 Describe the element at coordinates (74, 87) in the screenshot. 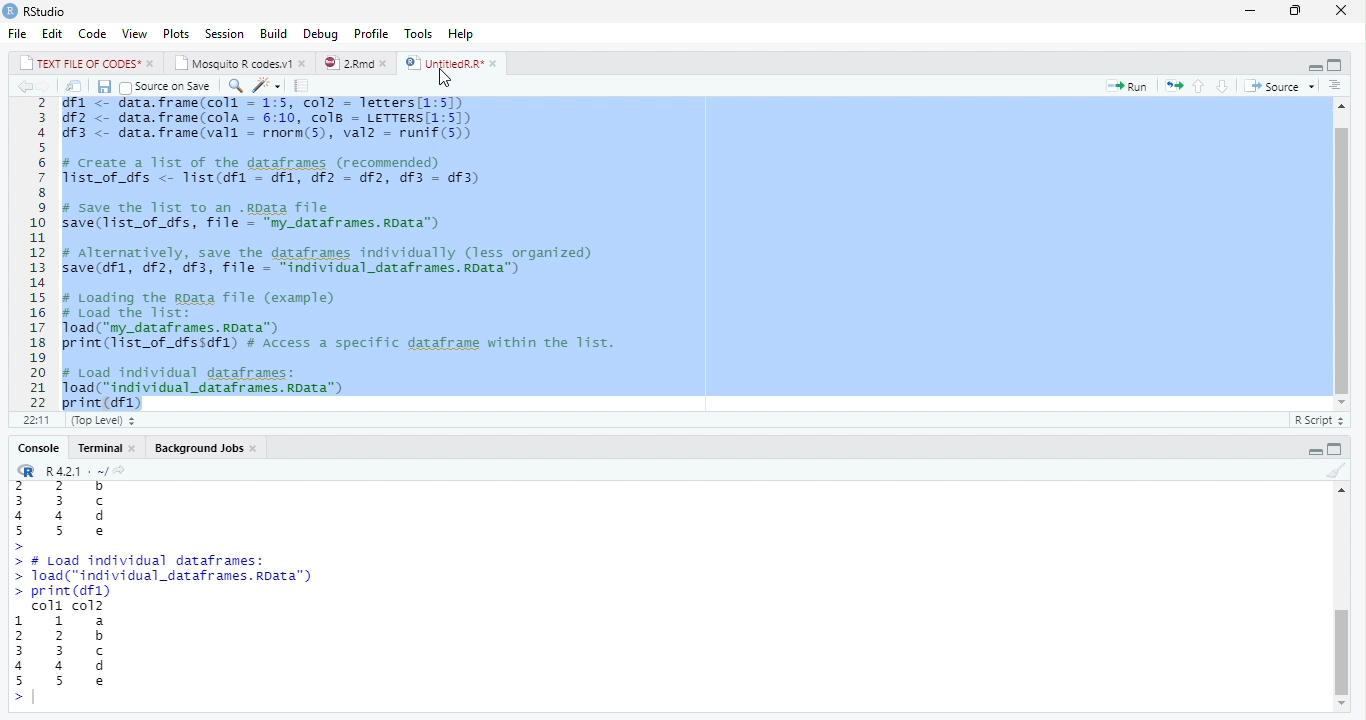

I see `Open in new window` at that location.